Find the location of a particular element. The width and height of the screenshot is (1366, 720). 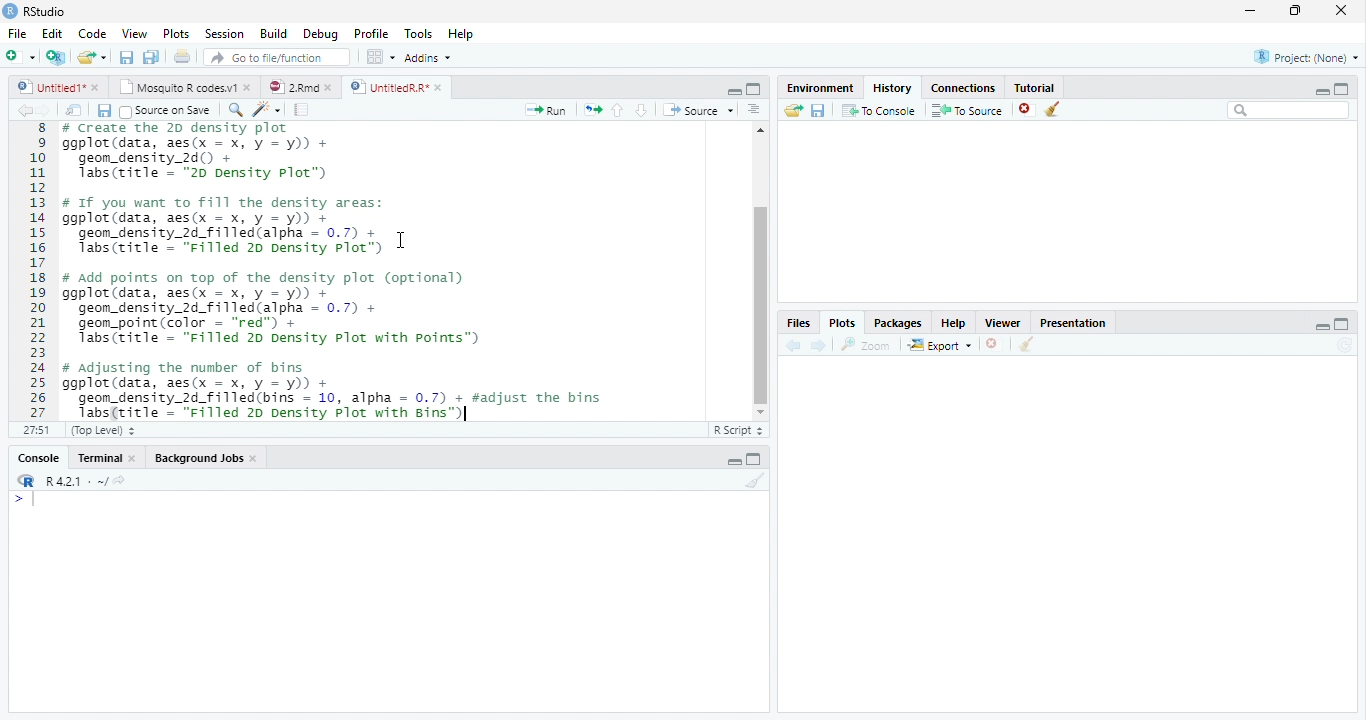

Document outline is located at coordinates (754, 111).